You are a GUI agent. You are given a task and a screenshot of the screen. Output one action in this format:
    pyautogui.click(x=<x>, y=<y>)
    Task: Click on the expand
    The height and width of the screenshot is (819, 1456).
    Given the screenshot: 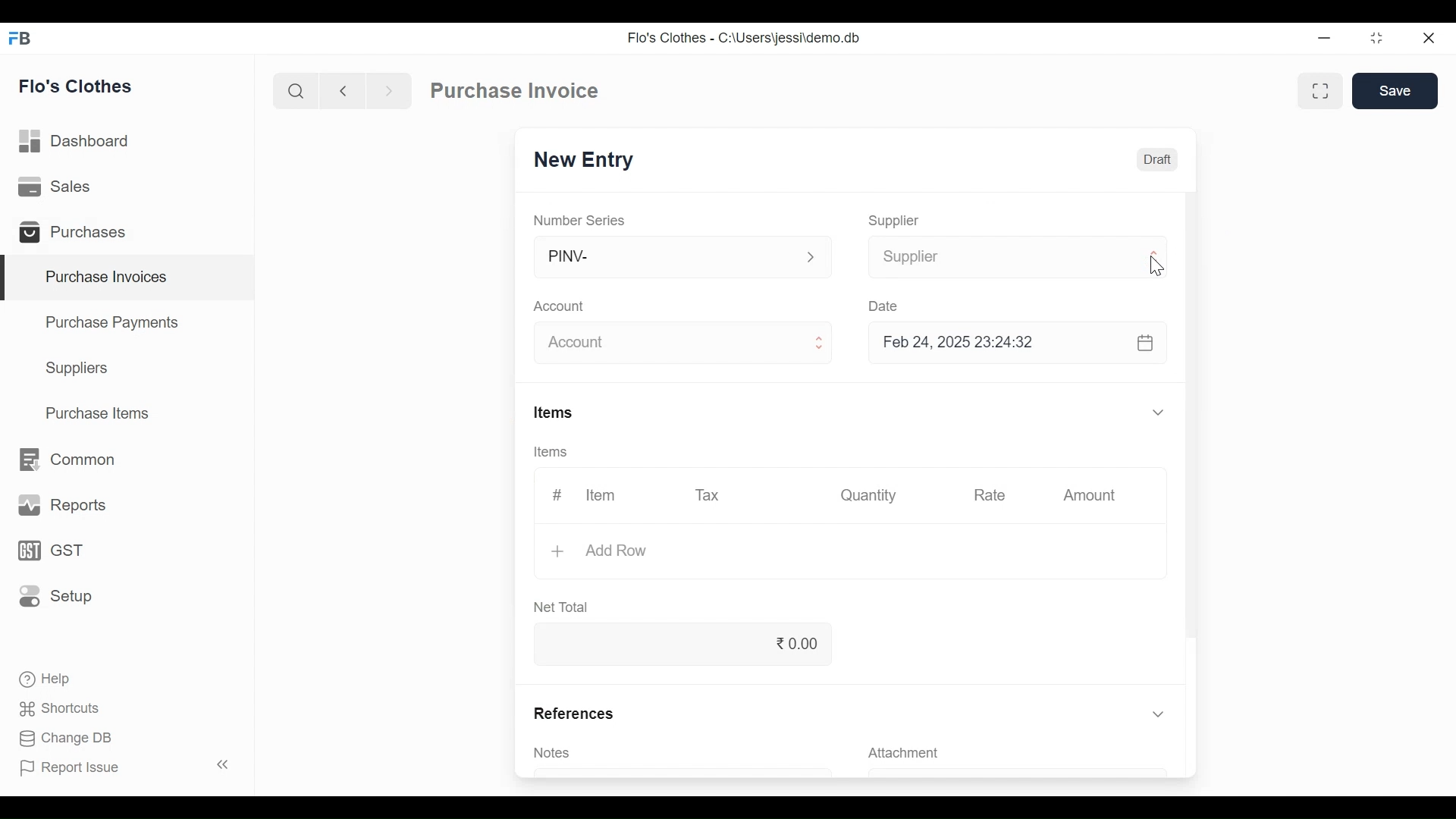 What is the action you would take?
    pyautogui.click(x=811, y=257)
    